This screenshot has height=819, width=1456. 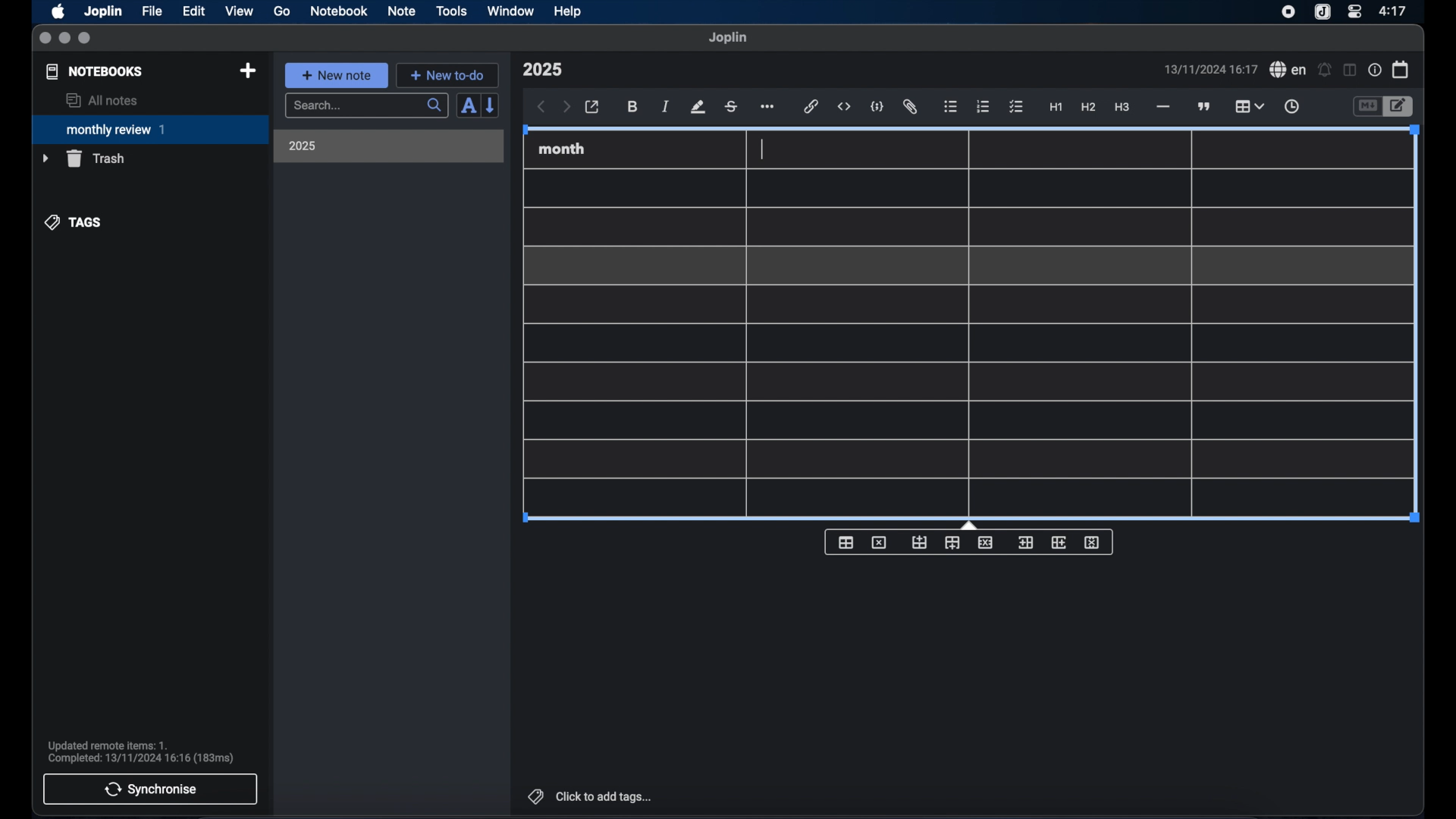 I want to click on tags, so click(x=74, y=222).